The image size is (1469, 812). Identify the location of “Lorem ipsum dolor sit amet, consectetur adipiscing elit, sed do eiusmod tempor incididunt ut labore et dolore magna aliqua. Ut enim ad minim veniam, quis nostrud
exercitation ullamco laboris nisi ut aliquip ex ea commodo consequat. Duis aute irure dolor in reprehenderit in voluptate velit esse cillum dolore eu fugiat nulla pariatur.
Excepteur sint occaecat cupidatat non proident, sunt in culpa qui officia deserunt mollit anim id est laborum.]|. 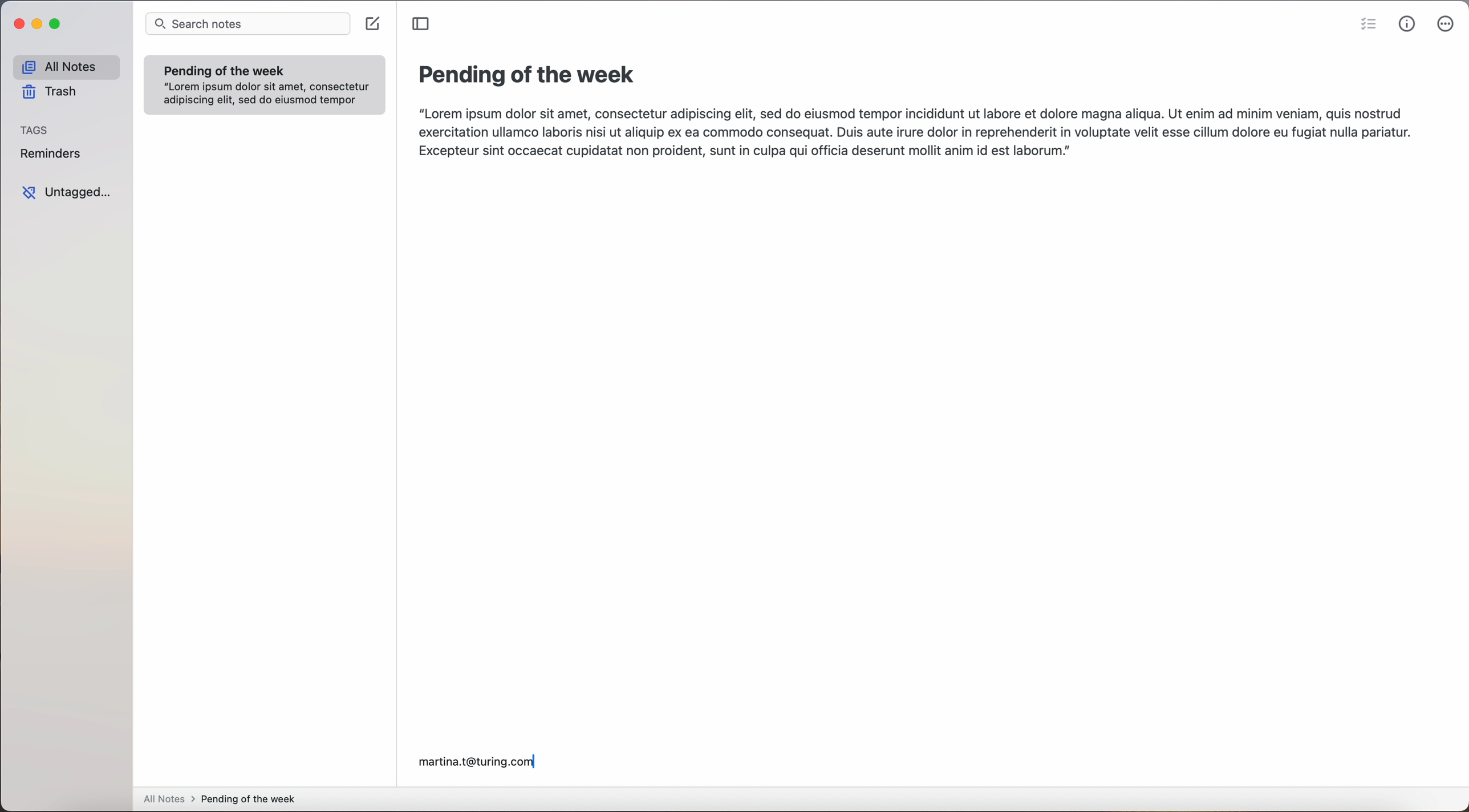
(916, 135).